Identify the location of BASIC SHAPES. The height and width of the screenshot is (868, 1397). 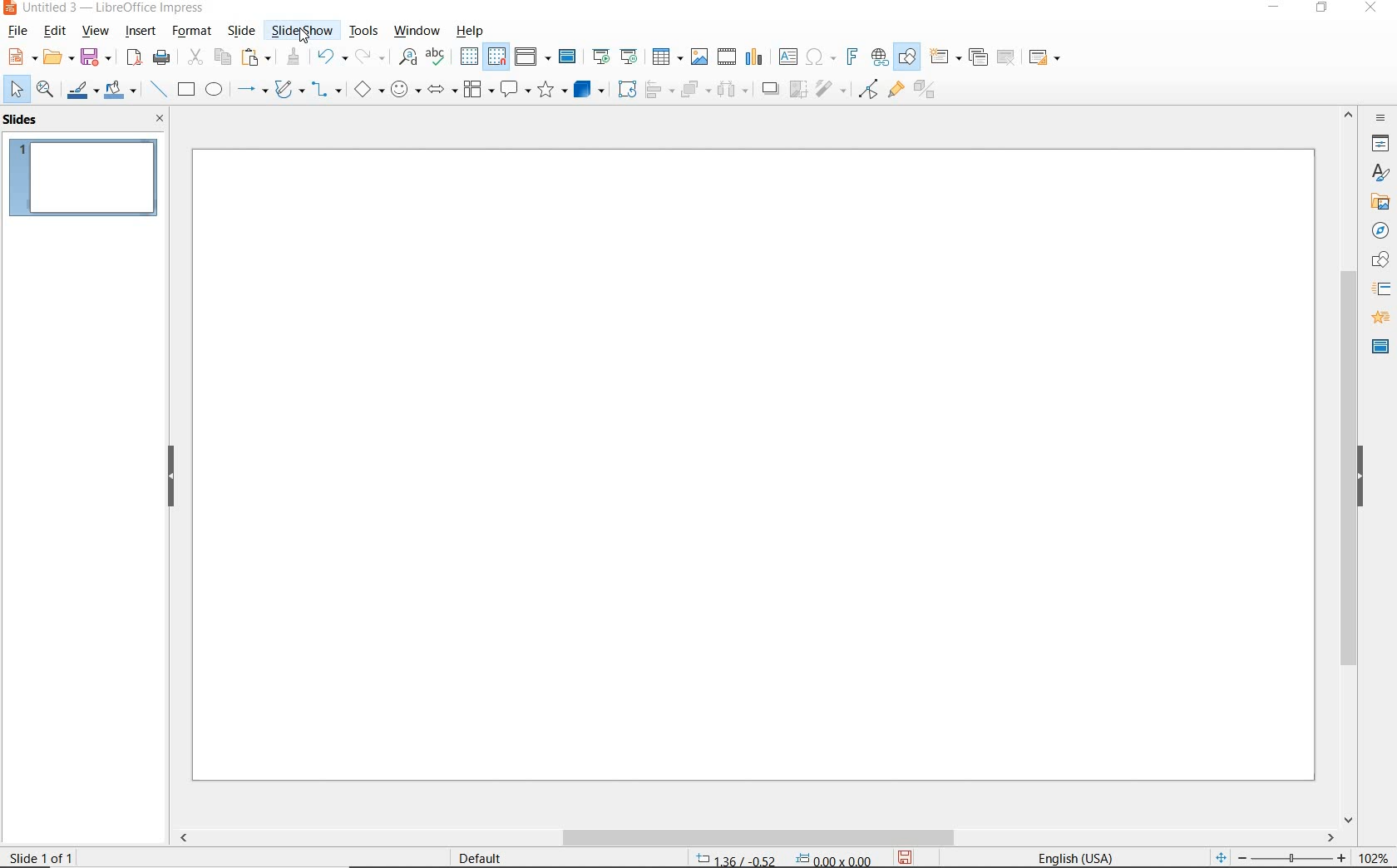
(368, 91).